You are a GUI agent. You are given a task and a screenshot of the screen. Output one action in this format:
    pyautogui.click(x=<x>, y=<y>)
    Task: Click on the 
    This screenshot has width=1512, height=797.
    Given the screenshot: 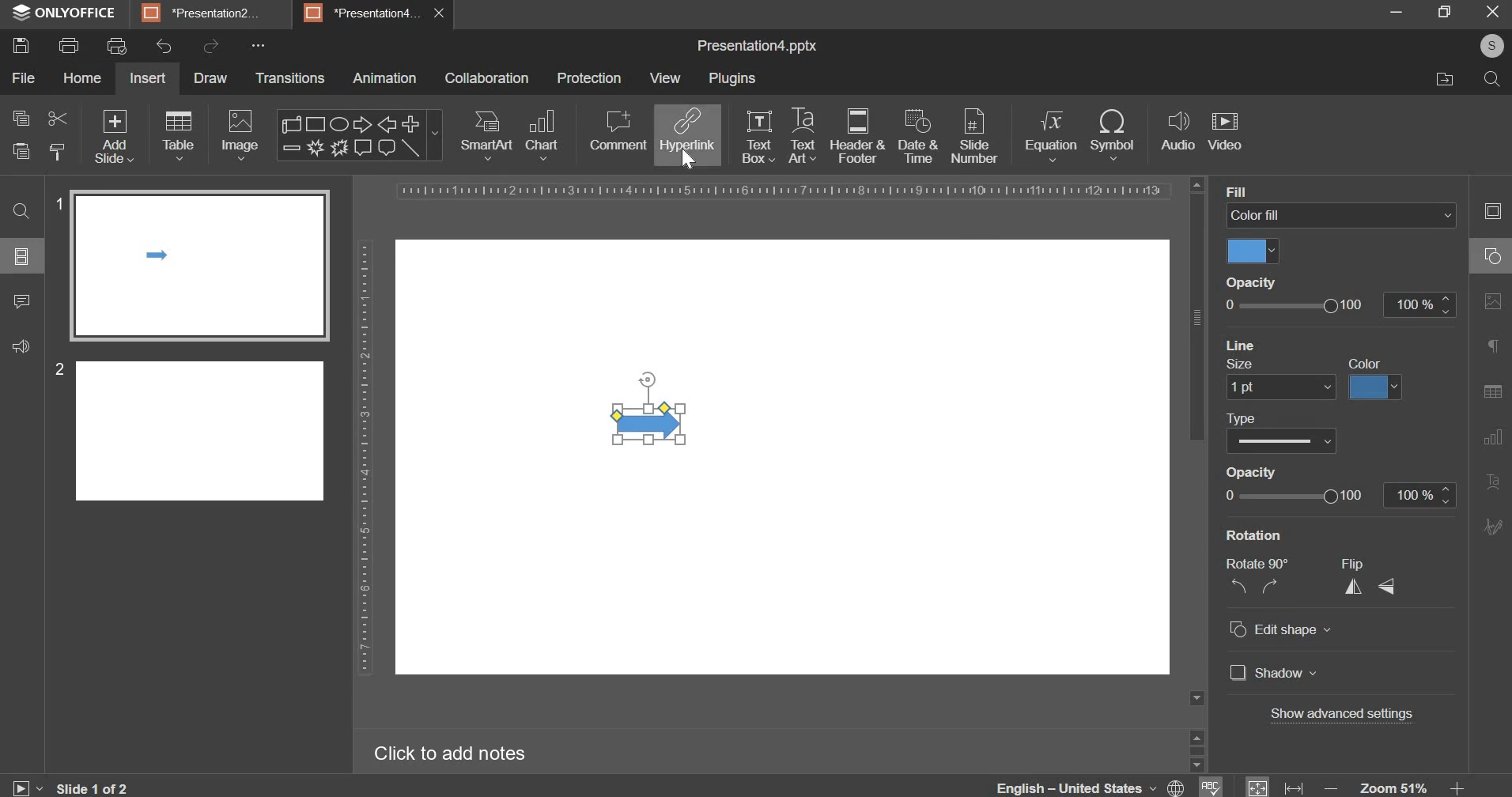 What is the action you would take?
    pyautogui.click(x=1262, y=416)
    